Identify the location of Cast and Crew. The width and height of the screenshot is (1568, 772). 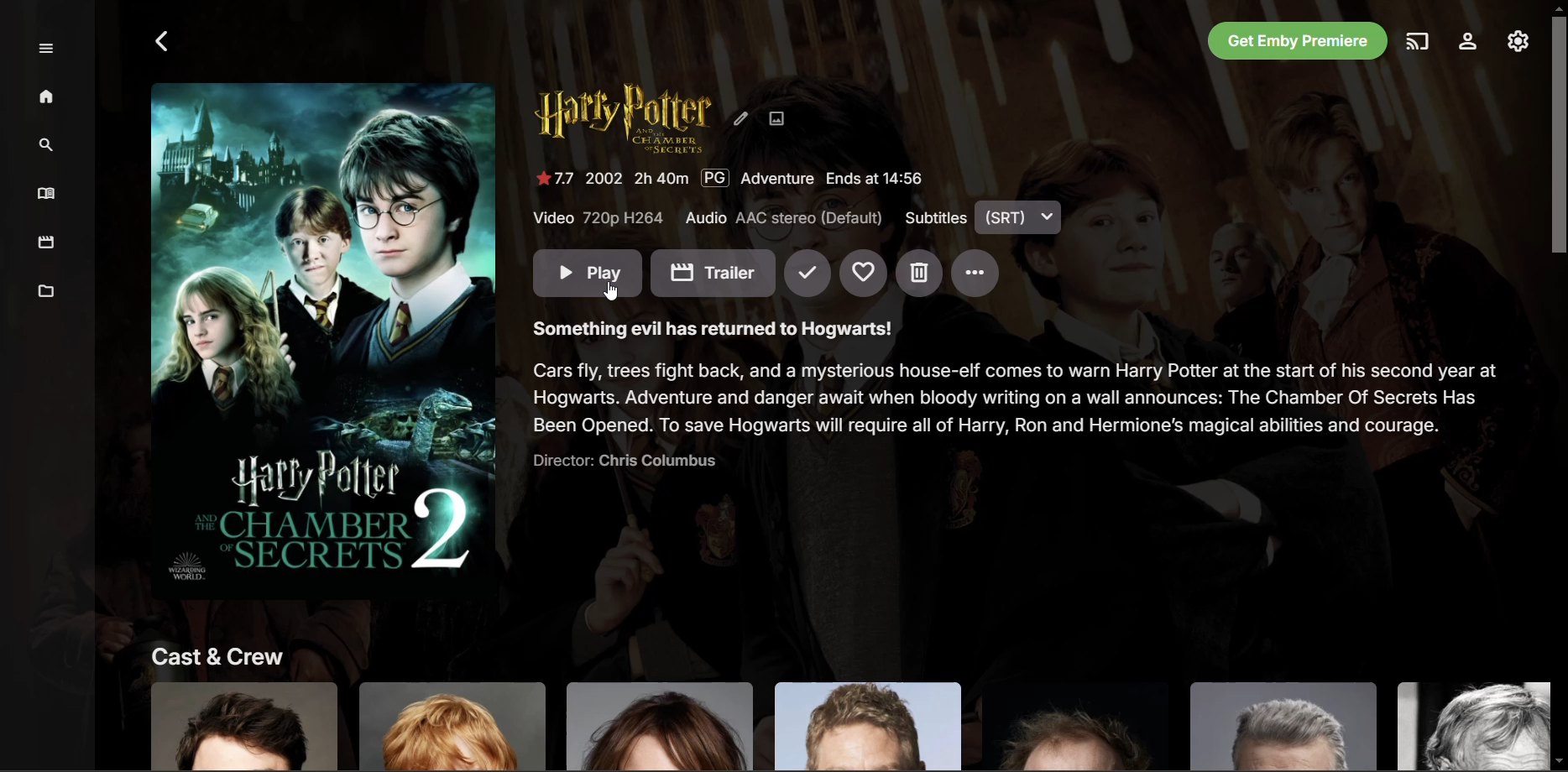
(212, 653).